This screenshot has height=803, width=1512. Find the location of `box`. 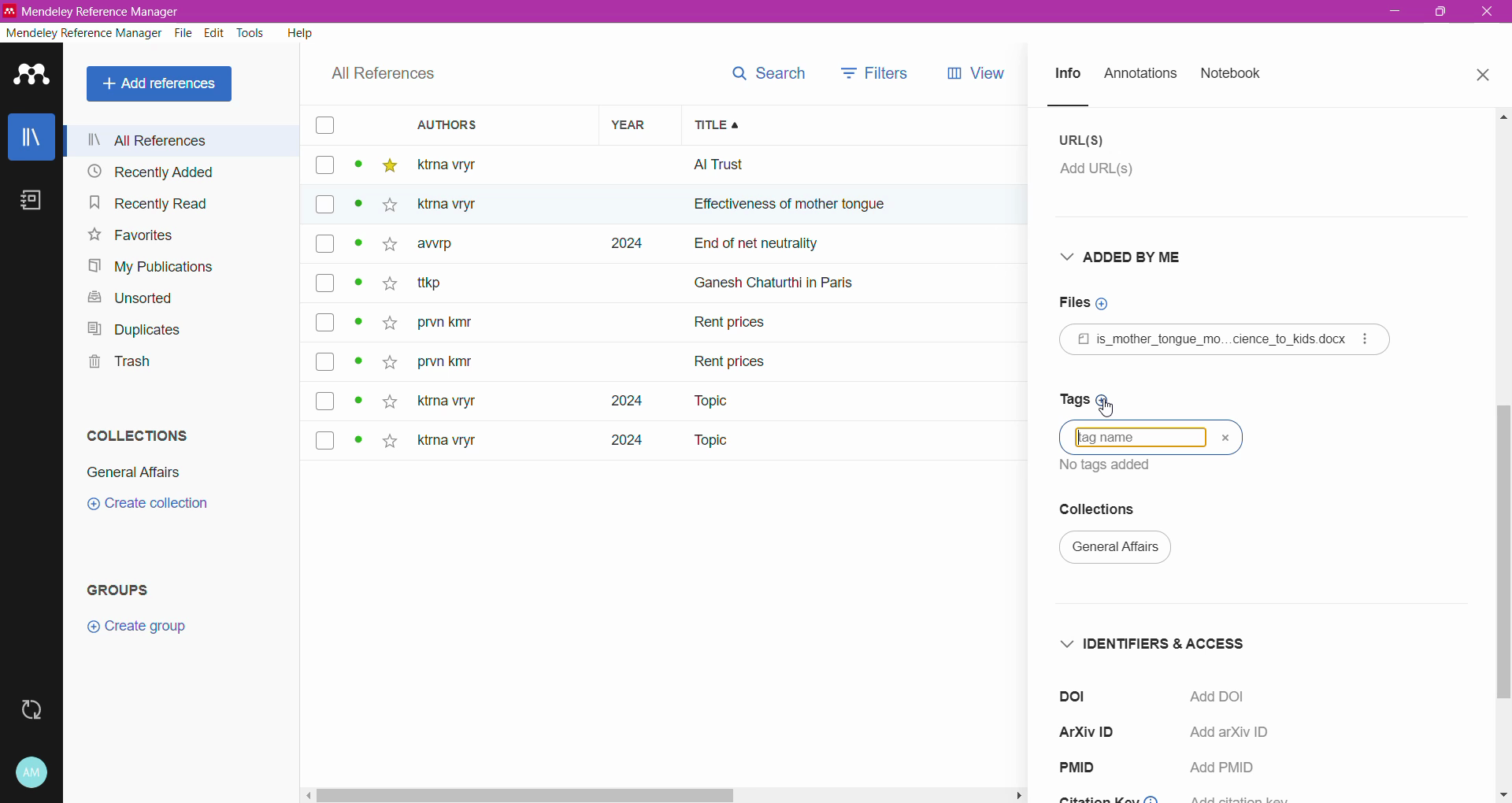

box is located at coordinates (324, 283).